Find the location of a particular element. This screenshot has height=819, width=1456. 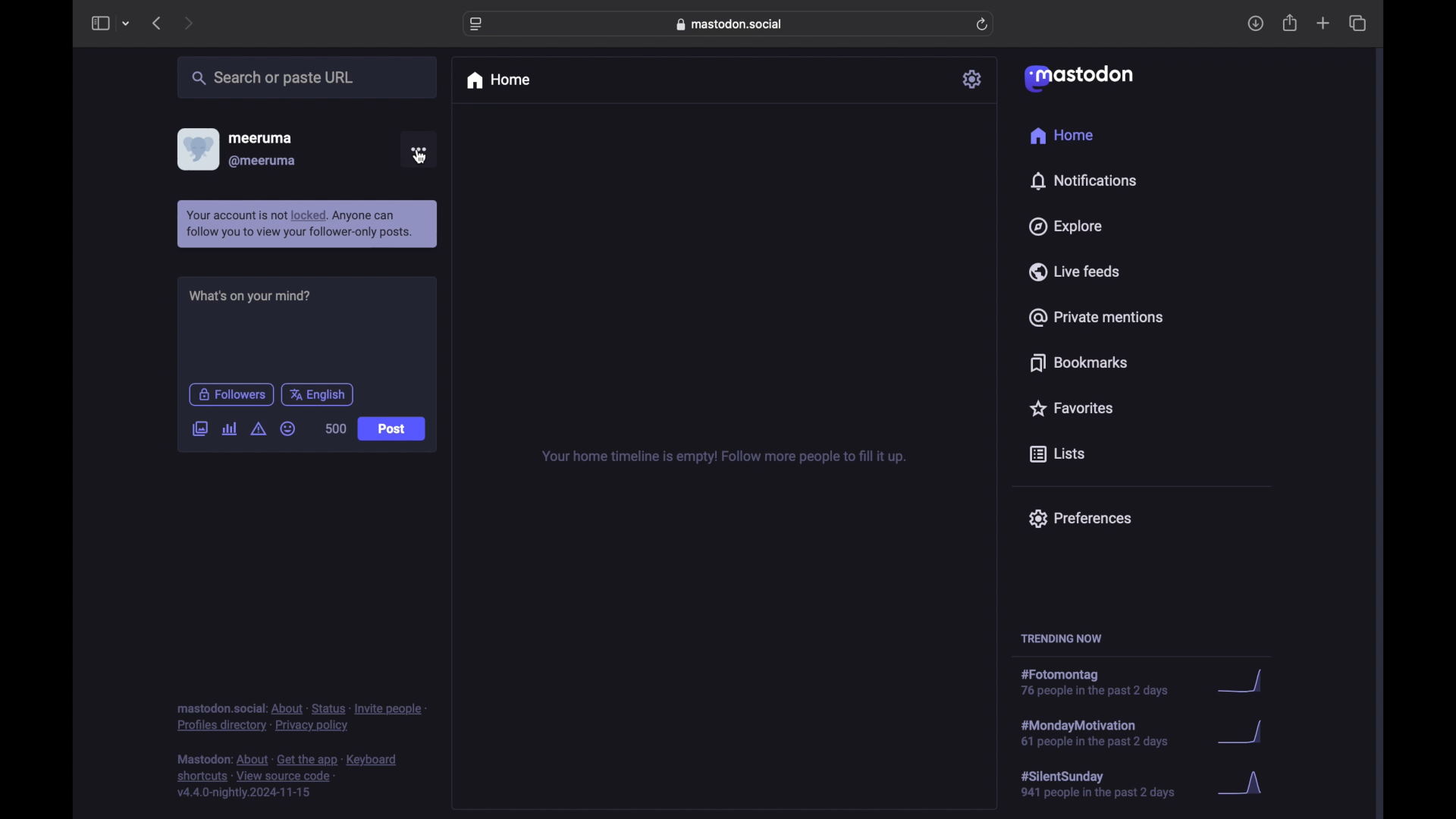

notifications is located at coordinates (1086, 180).